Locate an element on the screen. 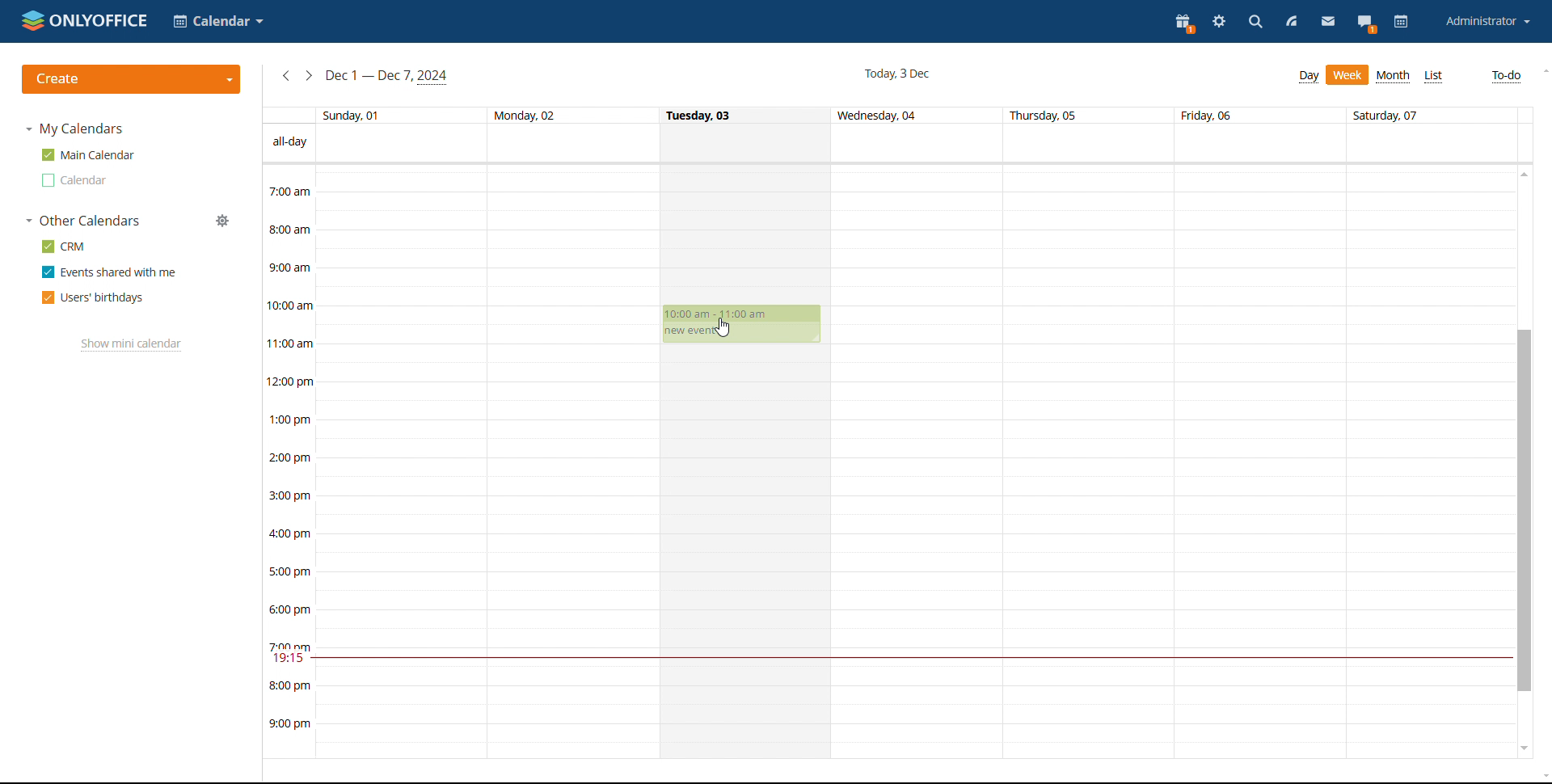 The height and width of the screenshot is (784, 1552). previous week is located at coordinates (286, 77).